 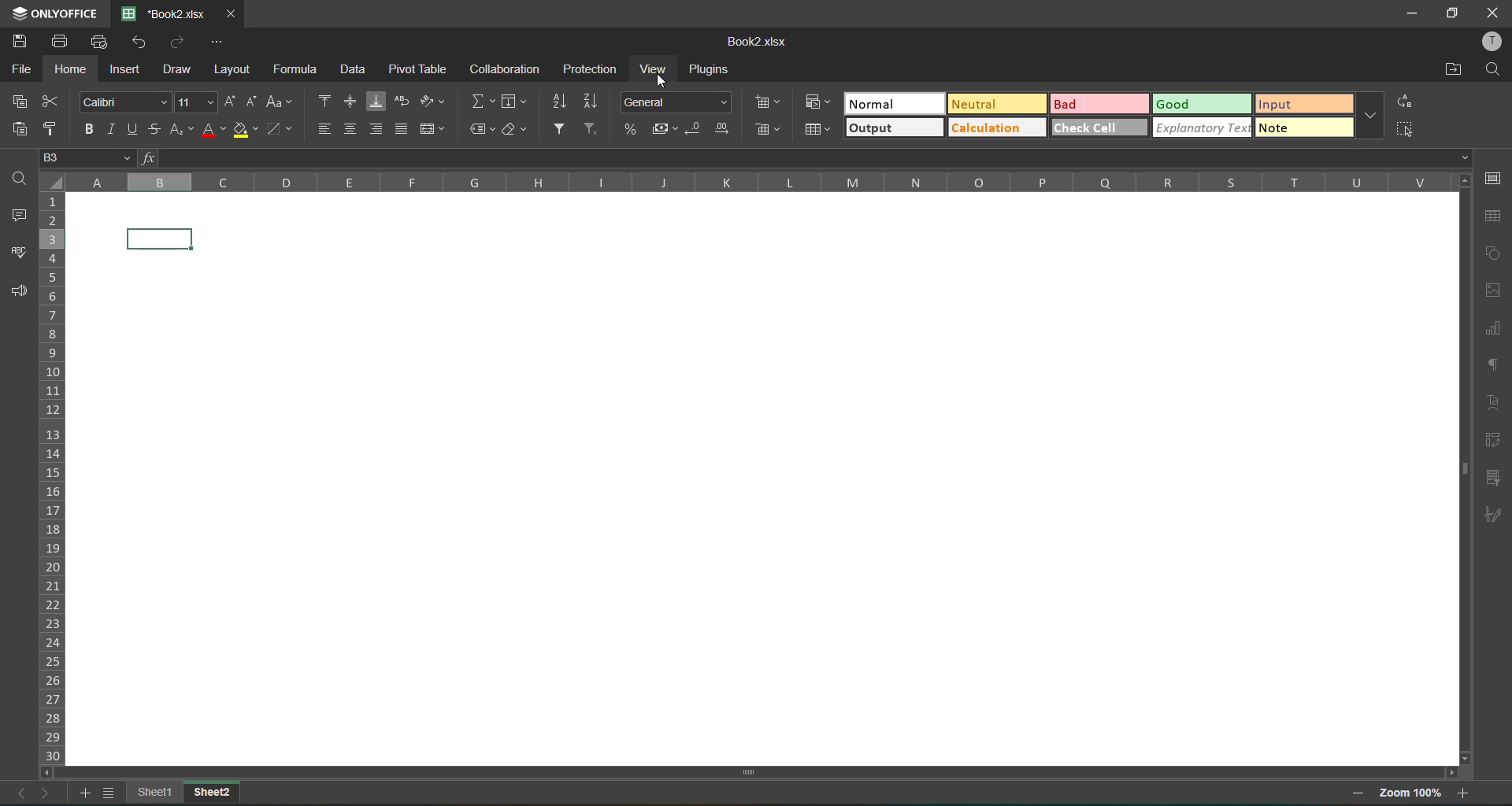 I want to click on sheetlist, so click(x=113, y=793).